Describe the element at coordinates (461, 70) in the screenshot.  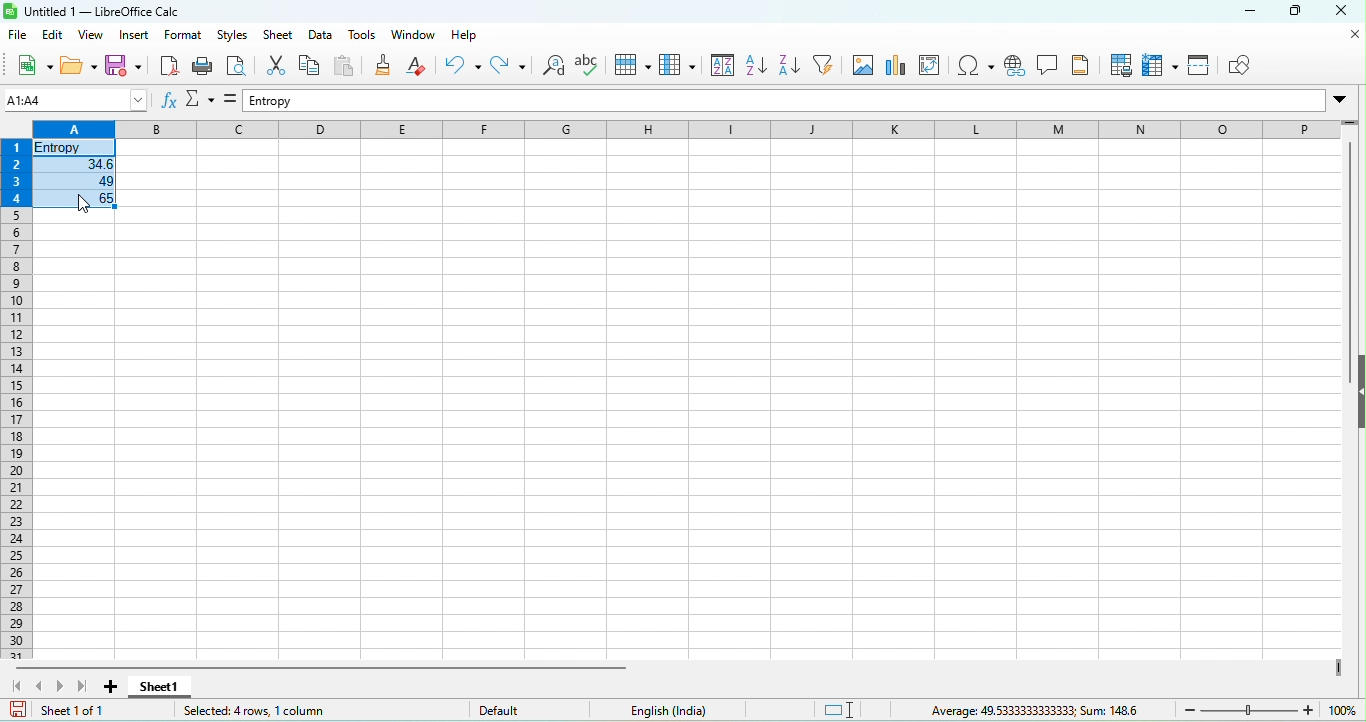
I see `undo` at that location.